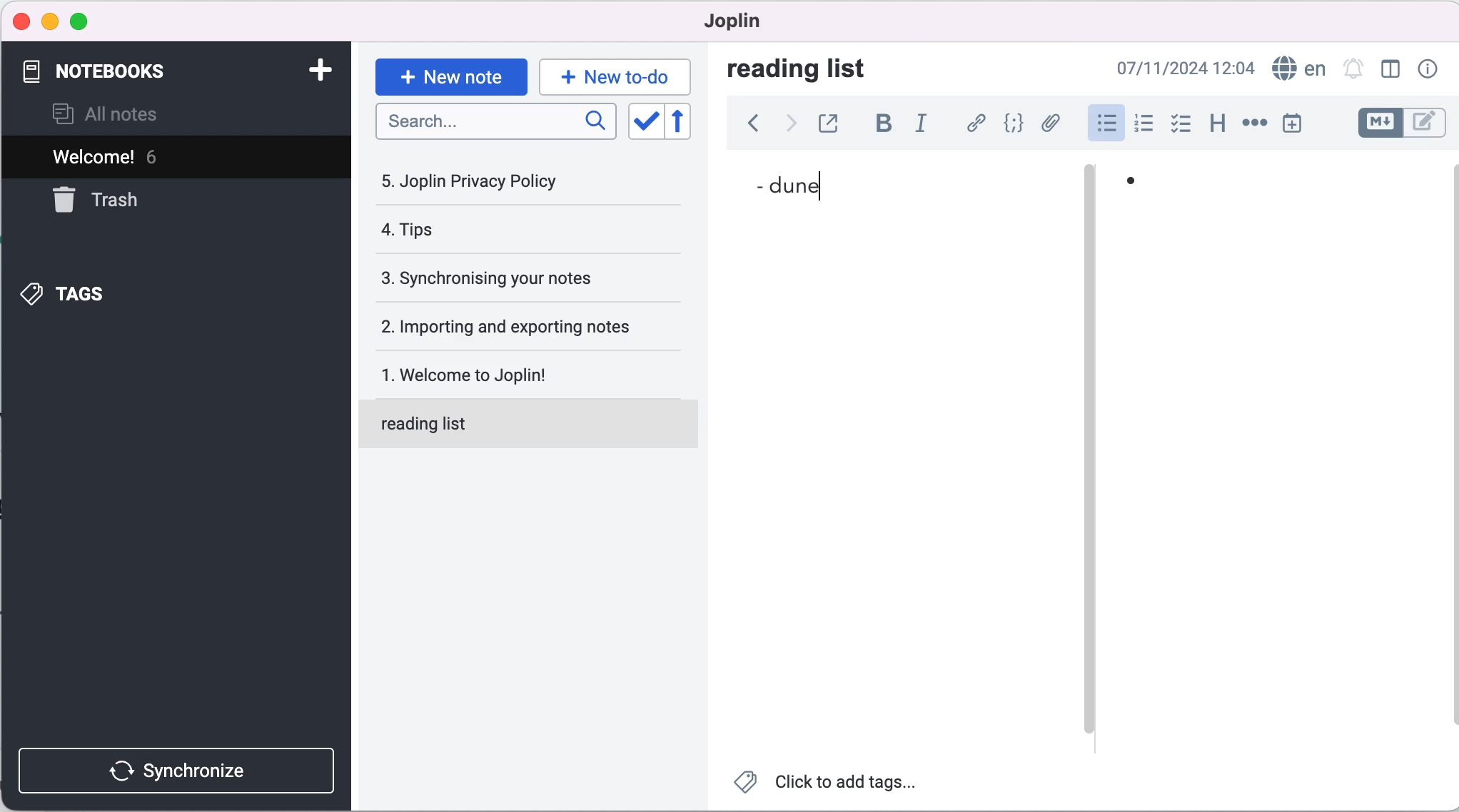 The height and width of the screenshot is (812, 1459). Describe the element at coordinates (324, 70) in the screenshot. I see `add notebook` at that location.